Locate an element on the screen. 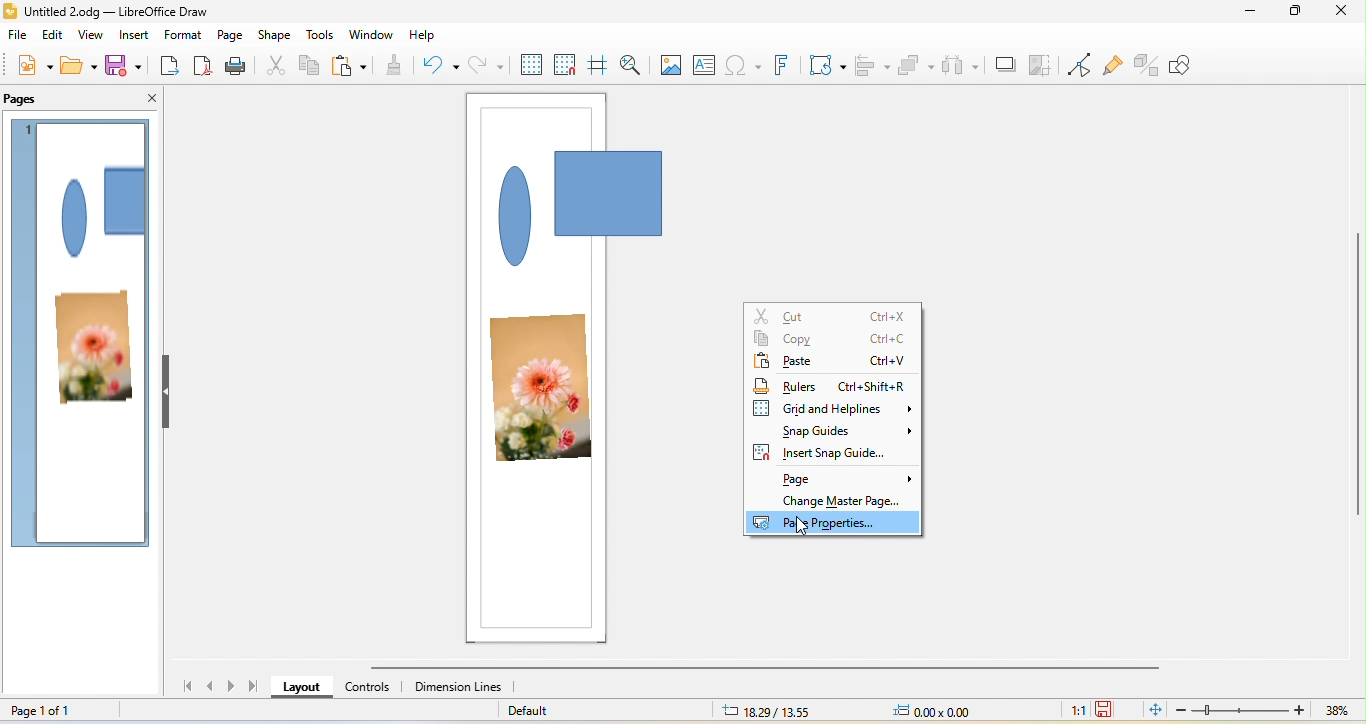  the document has not been modified since last save is located at coordinates (1109, 709).